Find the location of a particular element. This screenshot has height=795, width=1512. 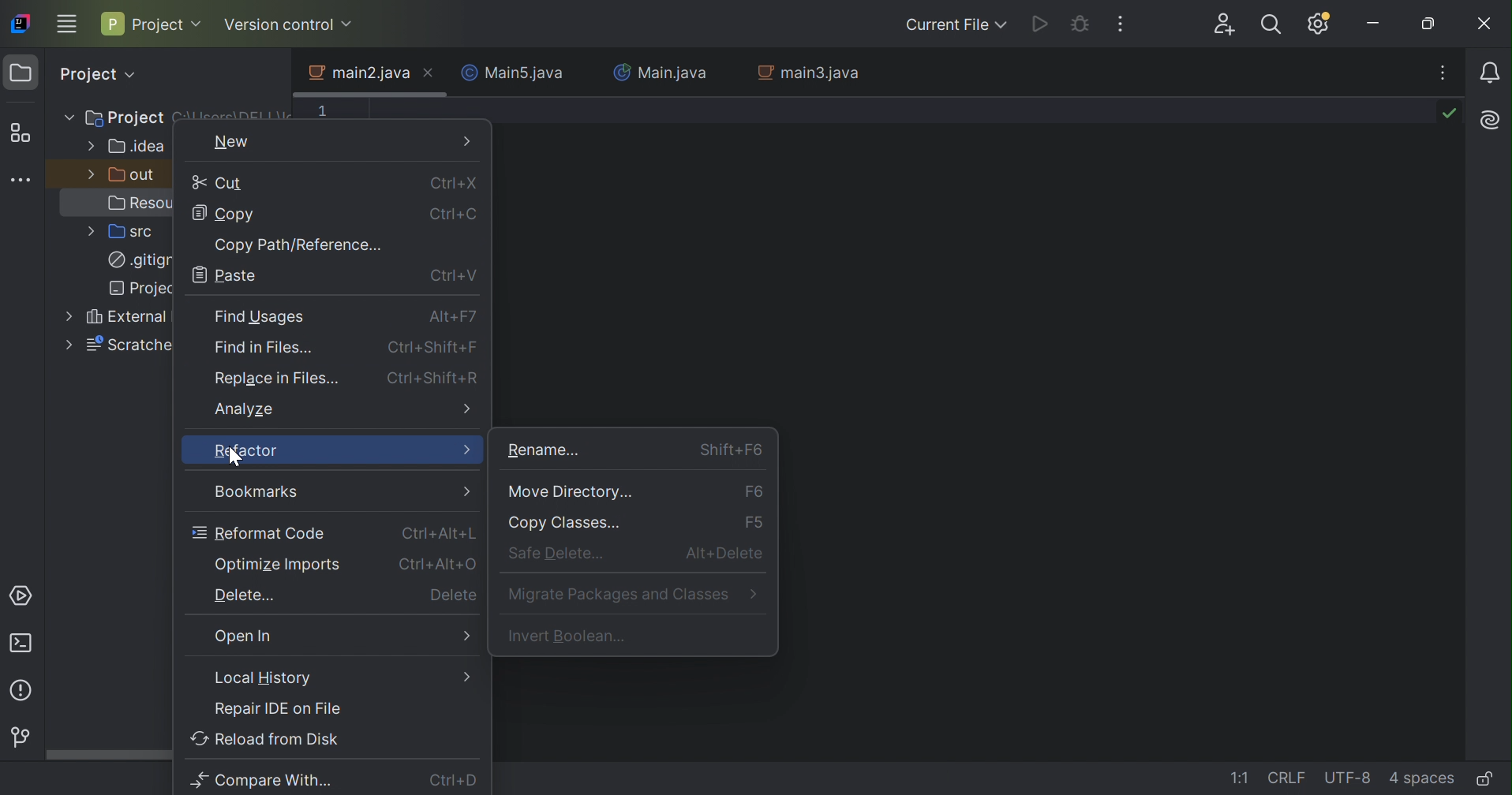

More is located at coordinates (468, 637).